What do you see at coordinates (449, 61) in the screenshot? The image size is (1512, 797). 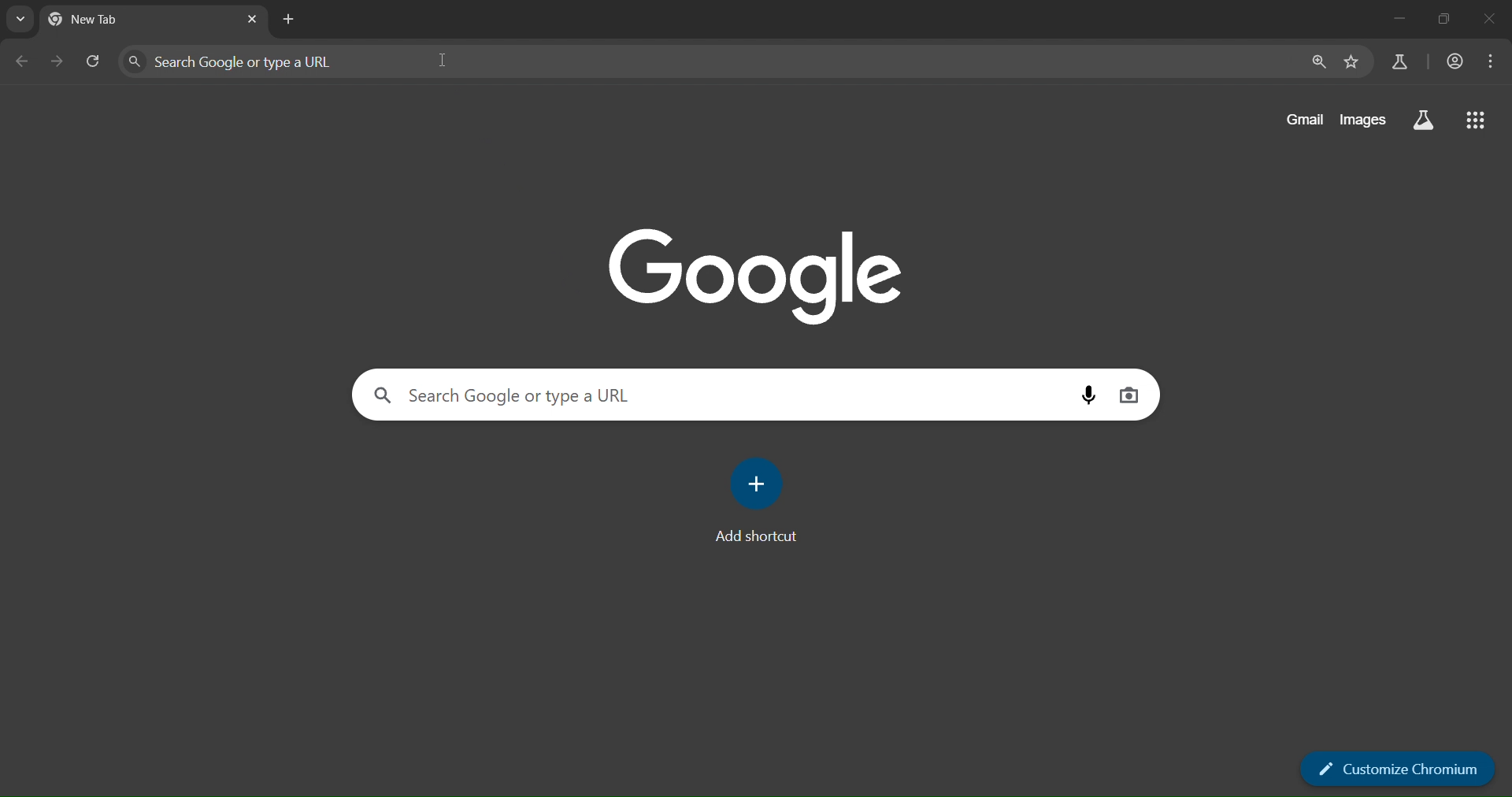 I see `cursor` at bounding box center [449, 61].